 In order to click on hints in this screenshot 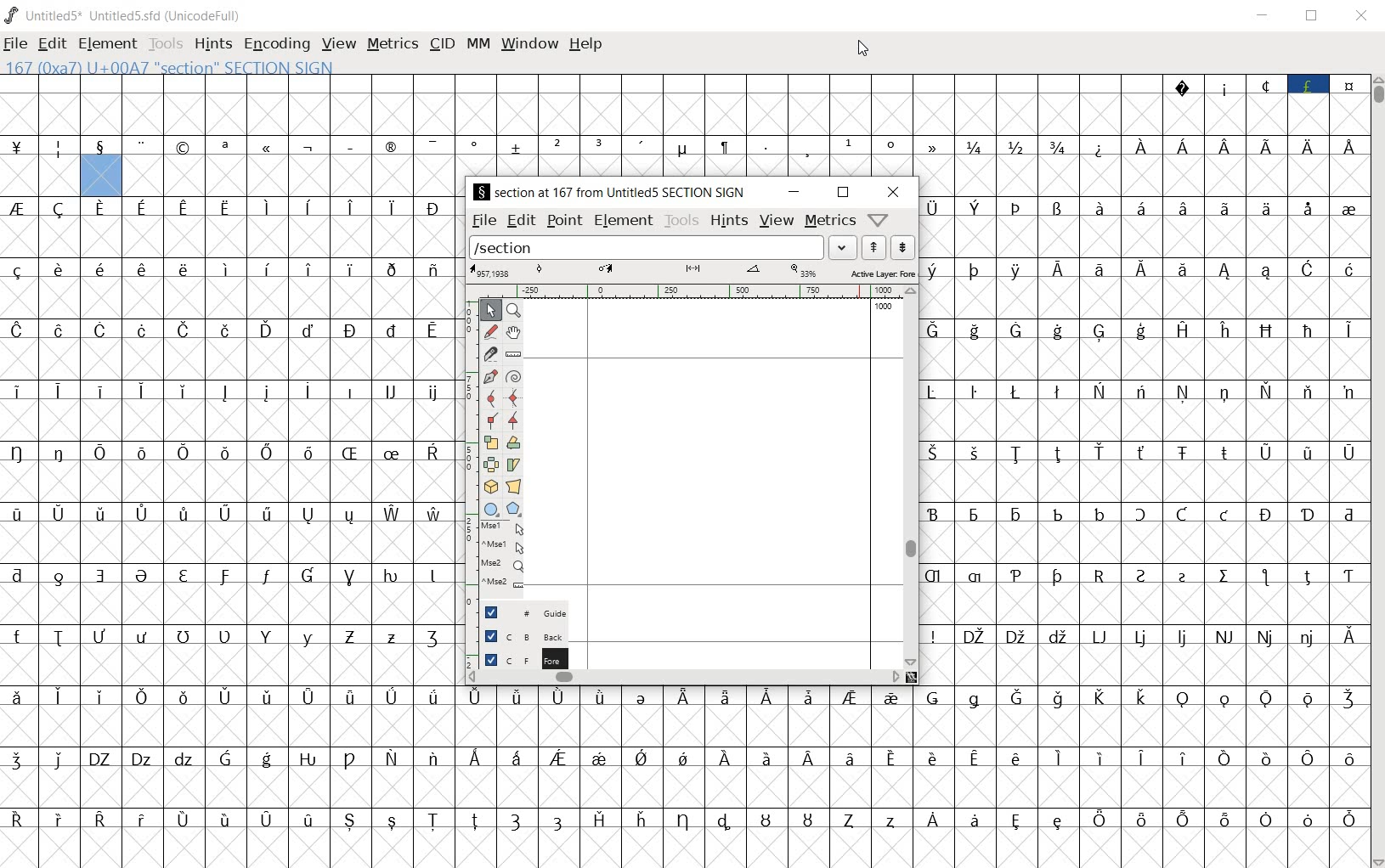, I will do `click(731, 222)`.